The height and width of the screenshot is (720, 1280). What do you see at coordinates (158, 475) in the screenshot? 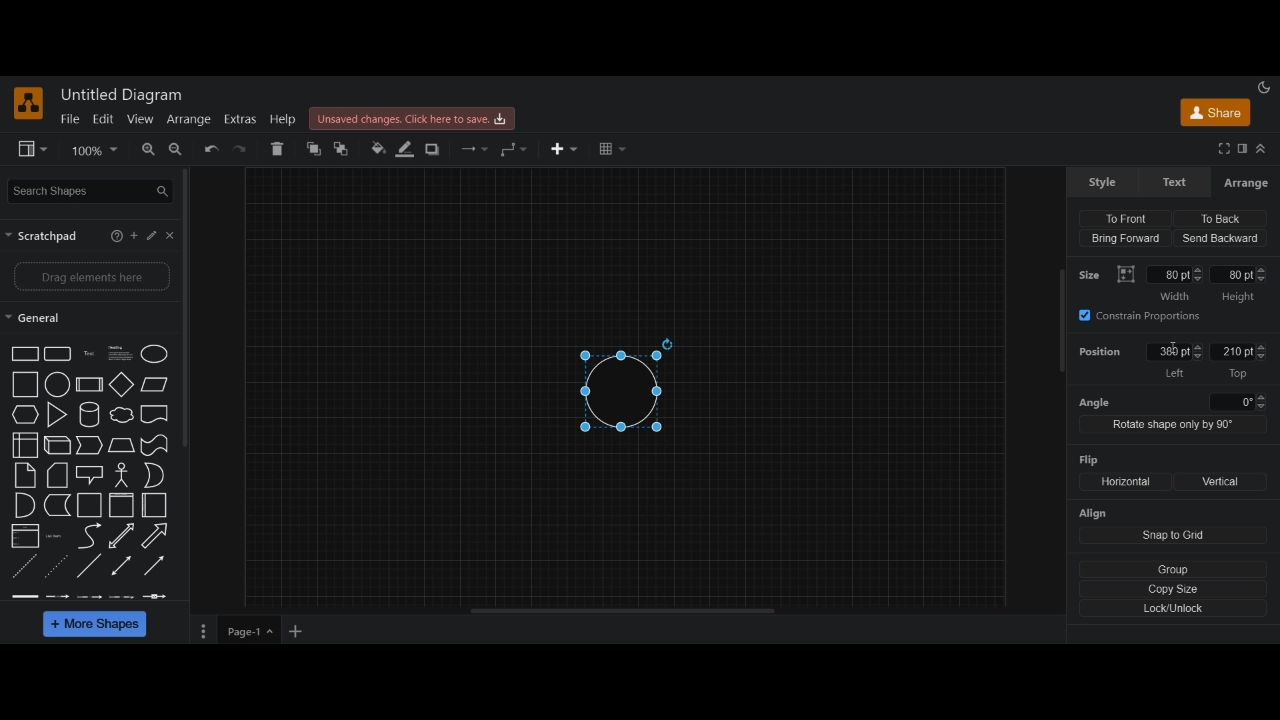
I see `Half moon` at bounding box center [158, 475].